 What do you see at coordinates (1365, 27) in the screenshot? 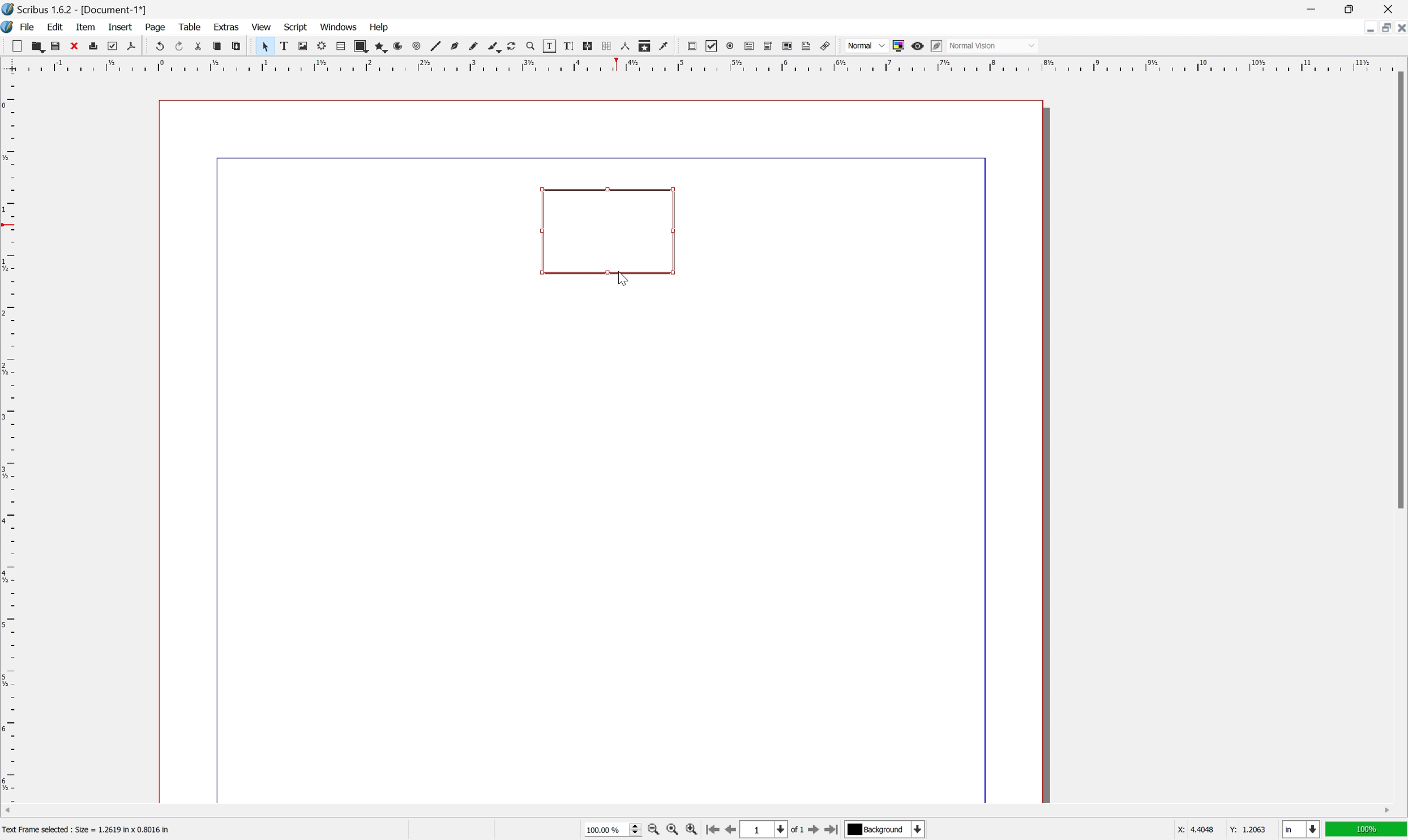
I see `minimize` at bounding box center [1365, 27].